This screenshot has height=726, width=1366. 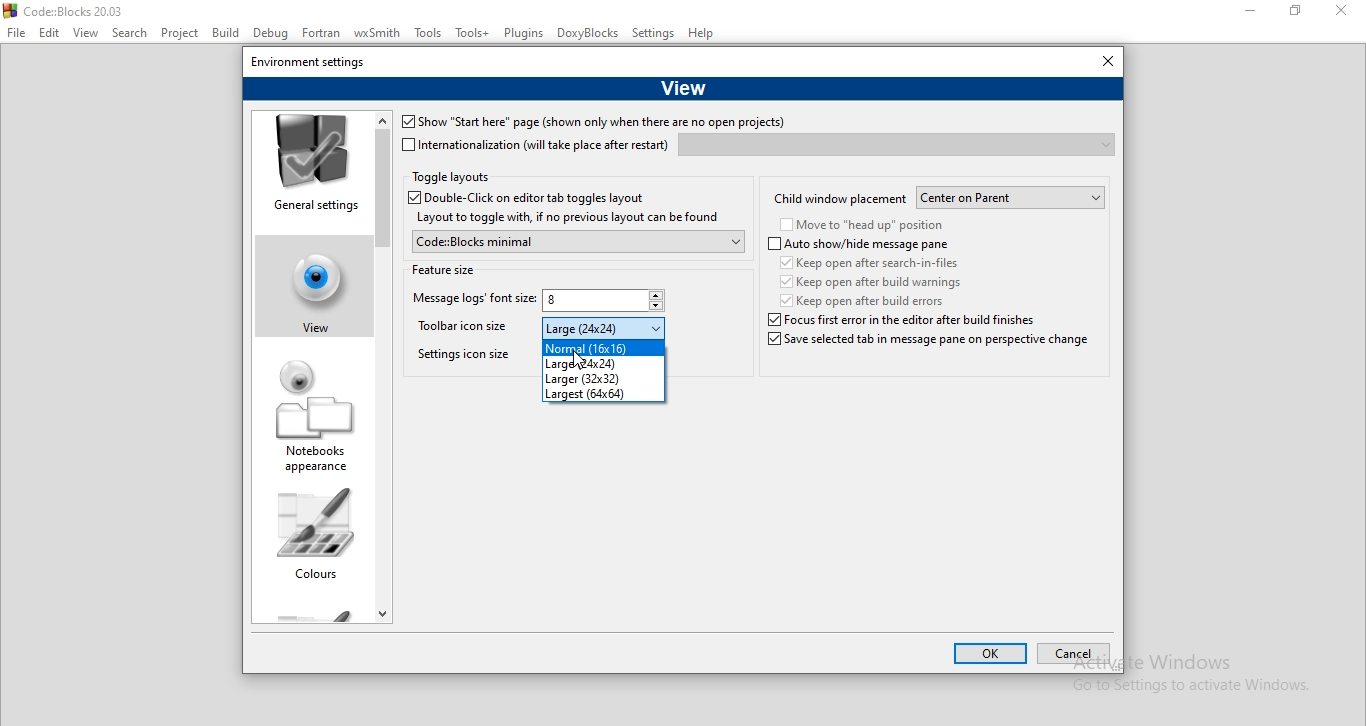 What do you see at coordinates (601, 365) in the screenshot?
I see `large(24x24)` at bounding box center [601, 365].